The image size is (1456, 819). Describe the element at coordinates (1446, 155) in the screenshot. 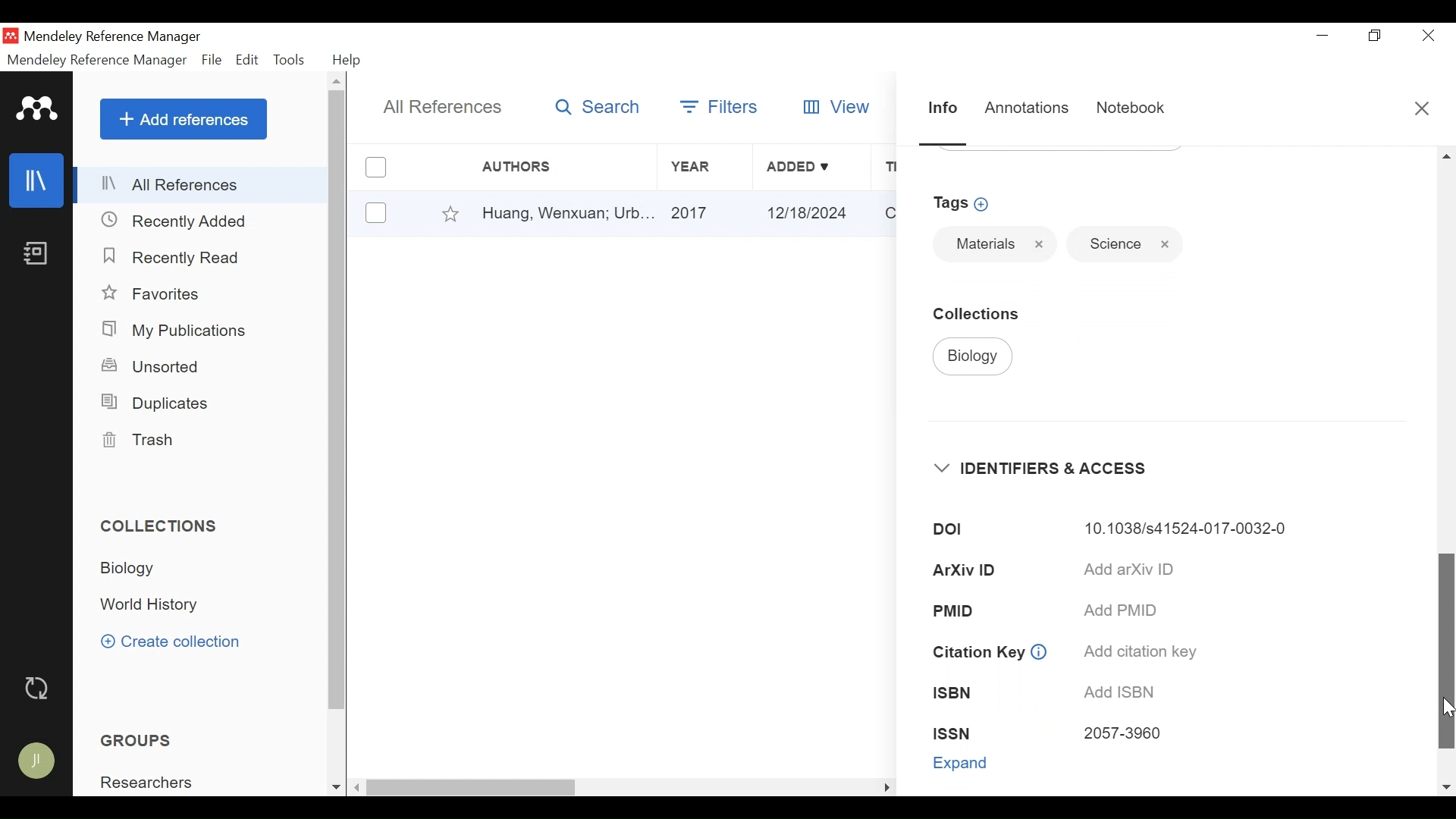

I see `Scroll up` at that location.